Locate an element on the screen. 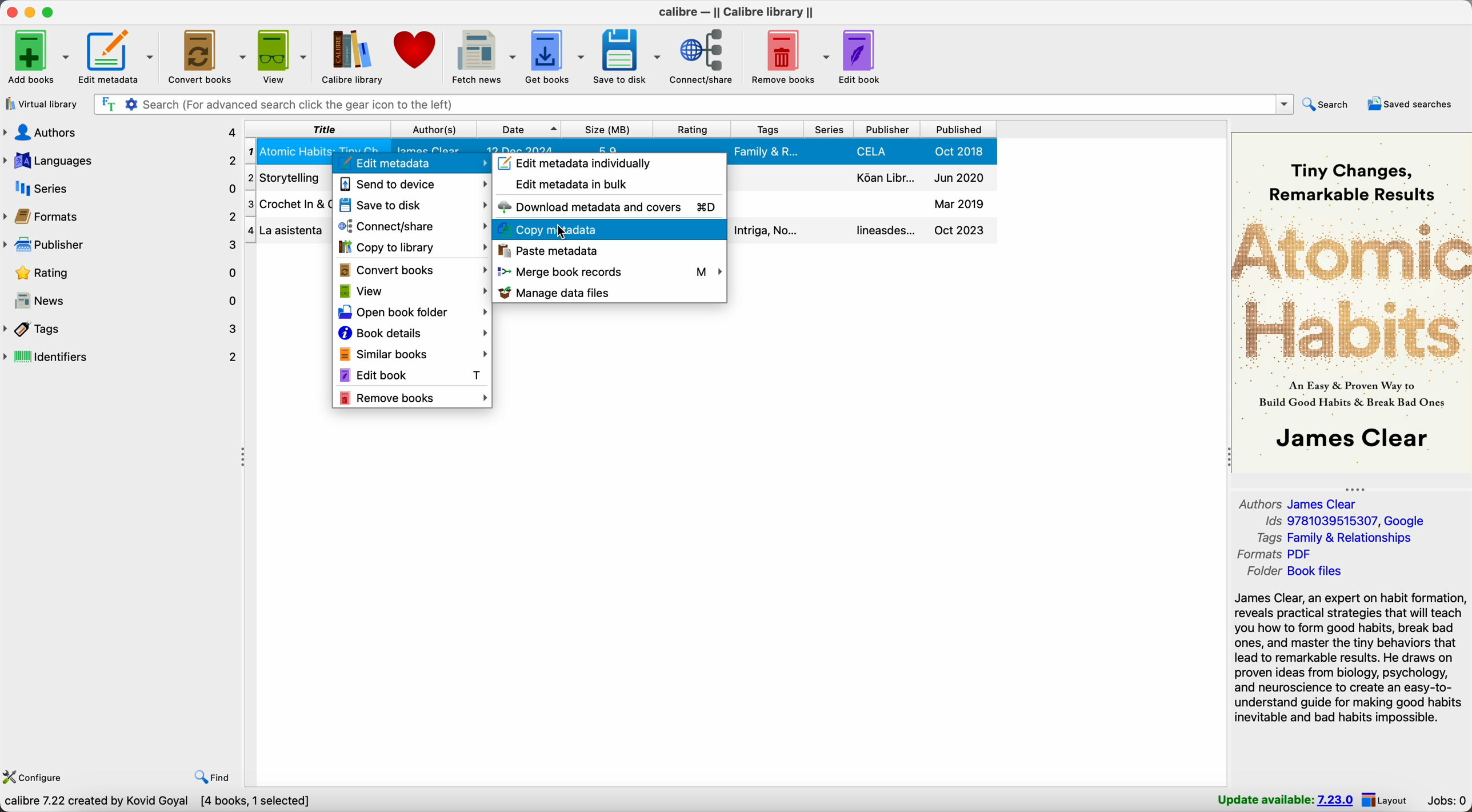 The height and width of the screenshot is (812, 1472). saved searches is located at coordinates (1410, 103).